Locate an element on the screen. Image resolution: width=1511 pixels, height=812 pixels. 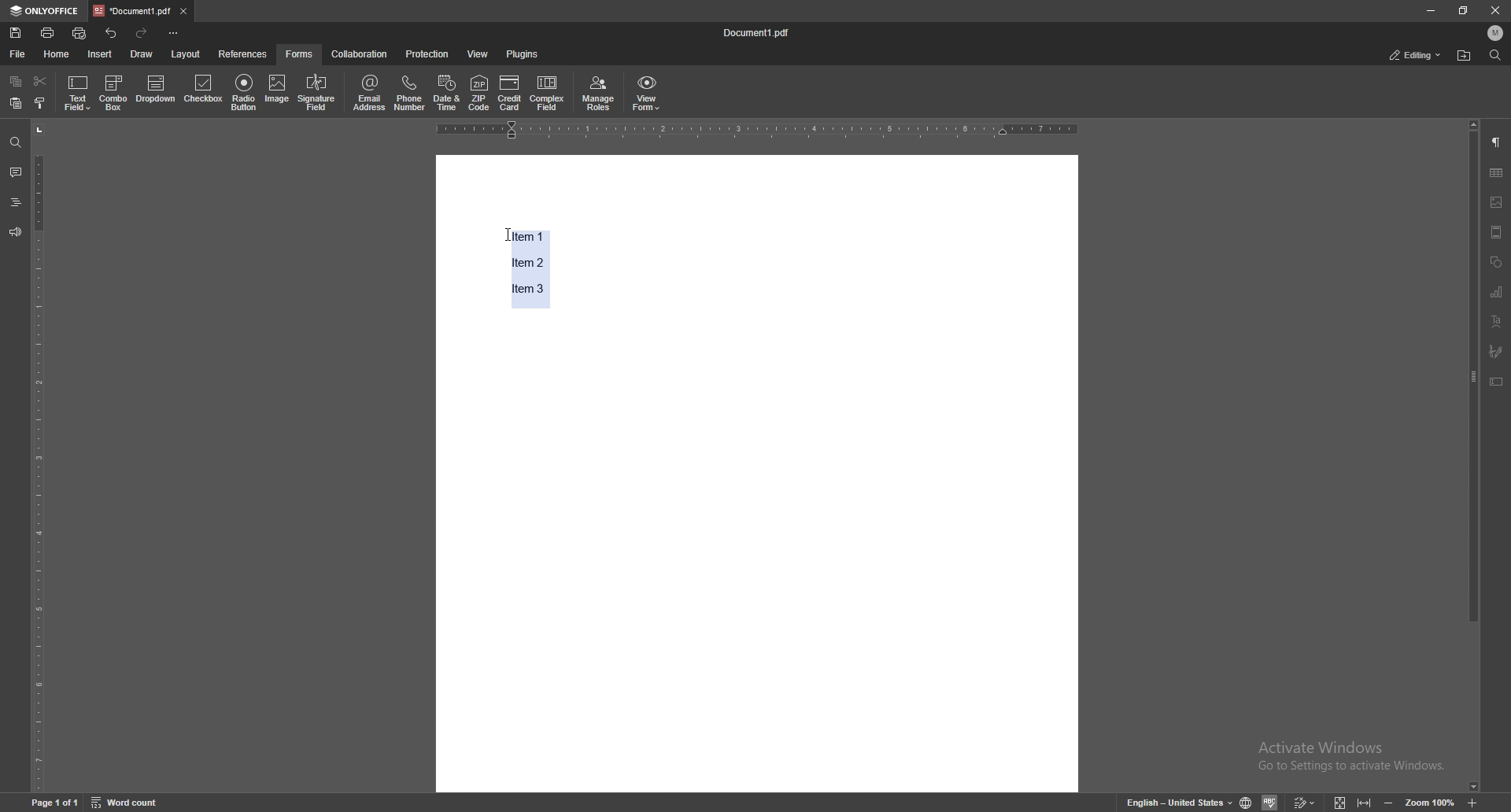
save is located at coordinates (16, 33).